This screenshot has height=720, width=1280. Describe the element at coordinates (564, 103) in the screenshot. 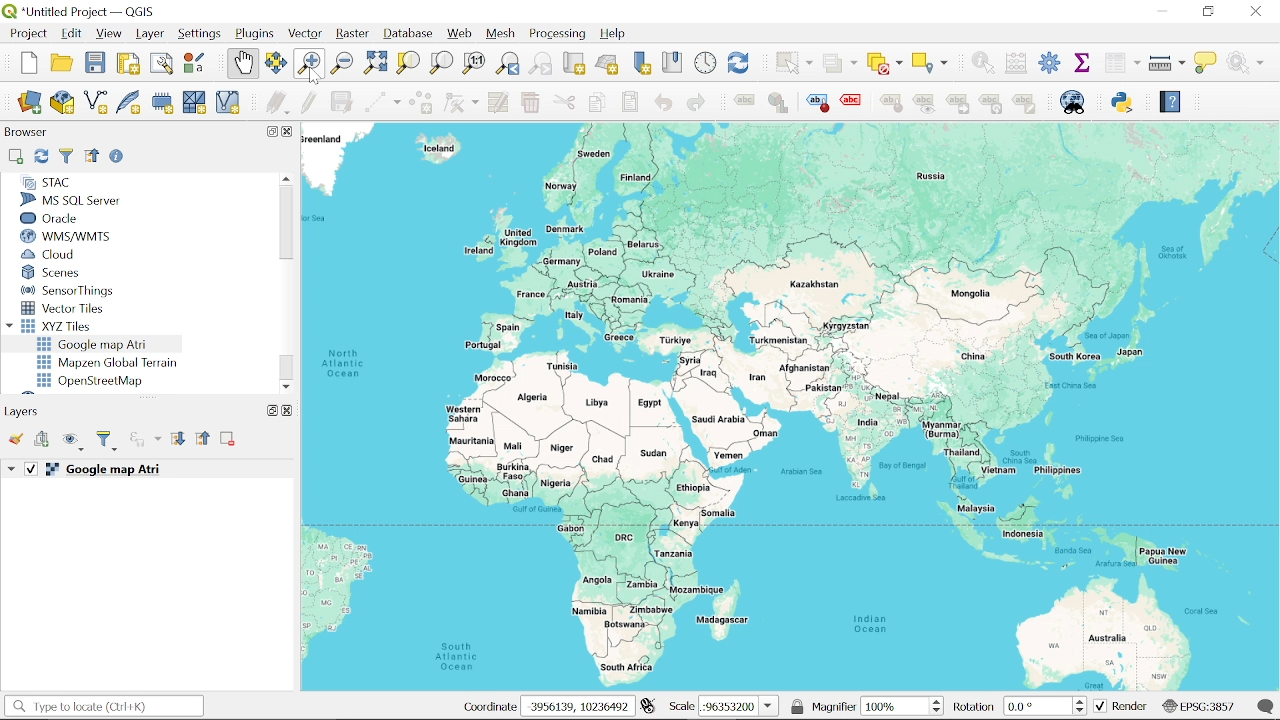

I see `Cut feature` at that location.